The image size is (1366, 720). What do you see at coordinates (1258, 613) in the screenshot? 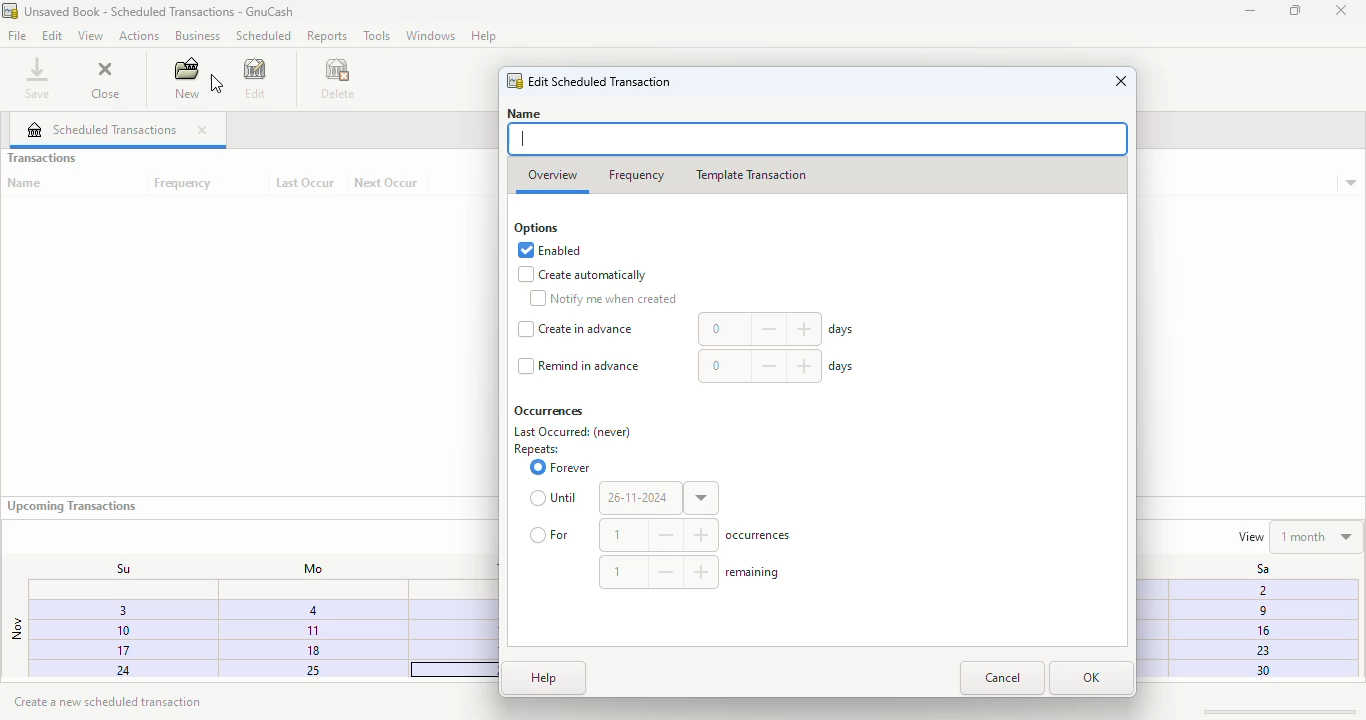
I see `9` at bounding box center [1258, 613].